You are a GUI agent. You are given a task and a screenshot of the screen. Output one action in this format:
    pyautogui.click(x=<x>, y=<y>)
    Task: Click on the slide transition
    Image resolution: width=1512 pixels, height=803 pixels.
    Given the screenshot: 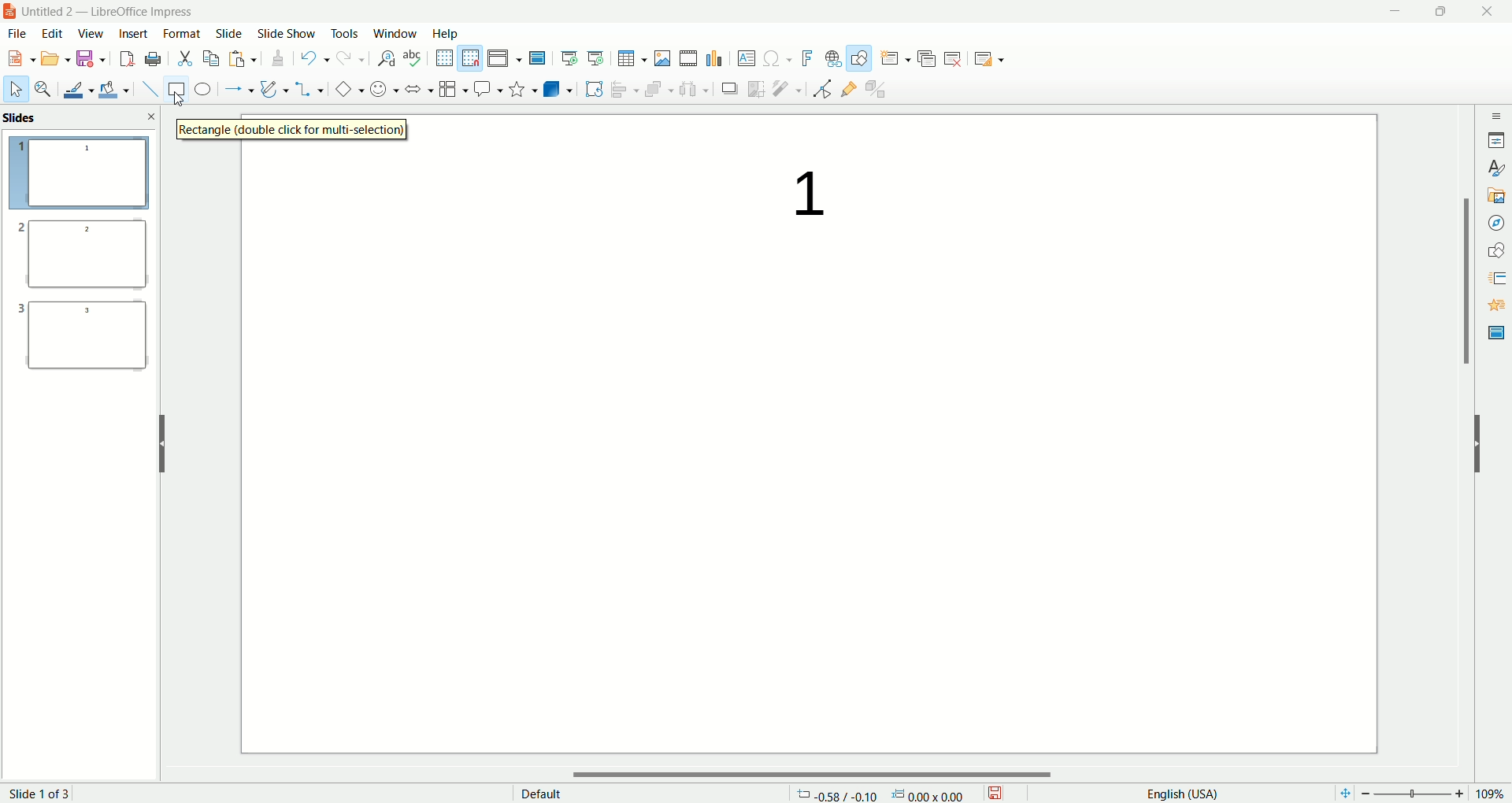 What is the action you would take?
    pyautogui.click(x=1495, y=276)
    